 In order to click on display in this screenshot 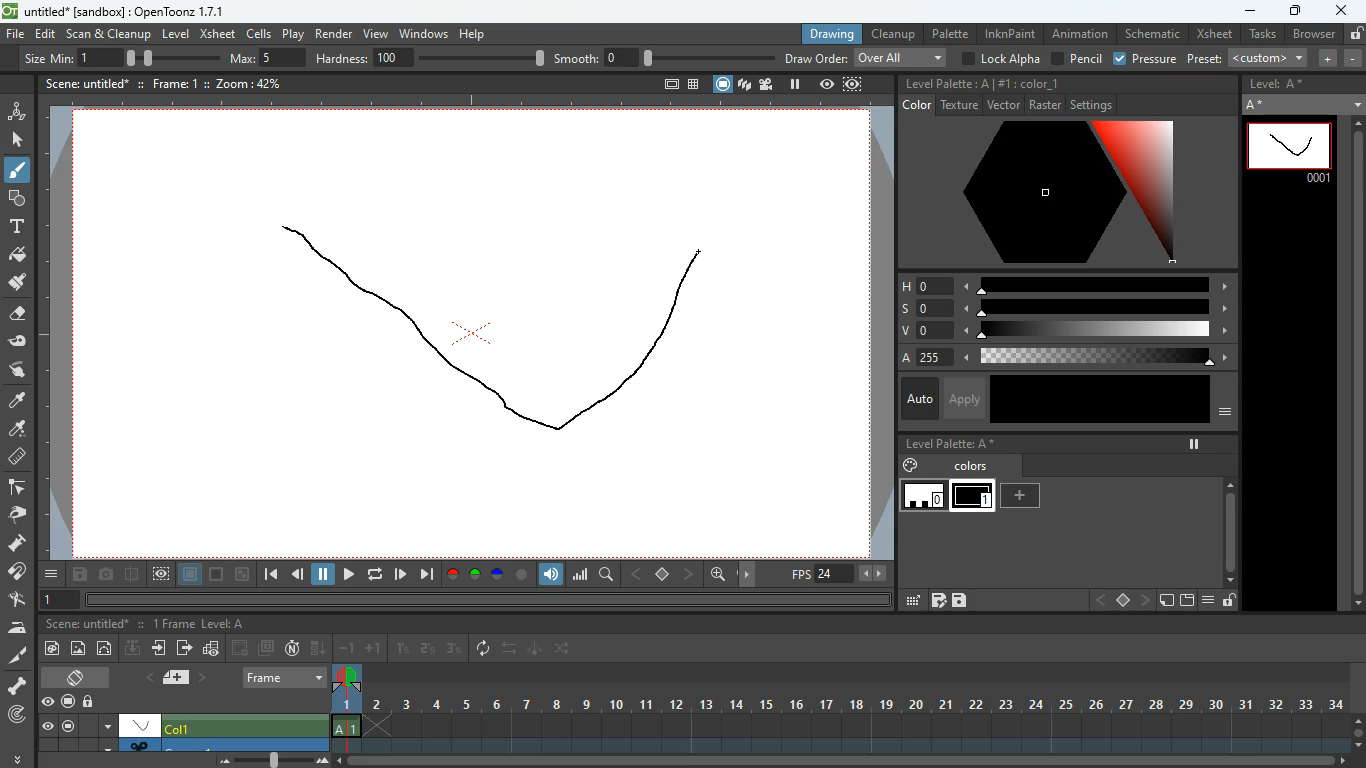, I will do `click(140, 724)`.